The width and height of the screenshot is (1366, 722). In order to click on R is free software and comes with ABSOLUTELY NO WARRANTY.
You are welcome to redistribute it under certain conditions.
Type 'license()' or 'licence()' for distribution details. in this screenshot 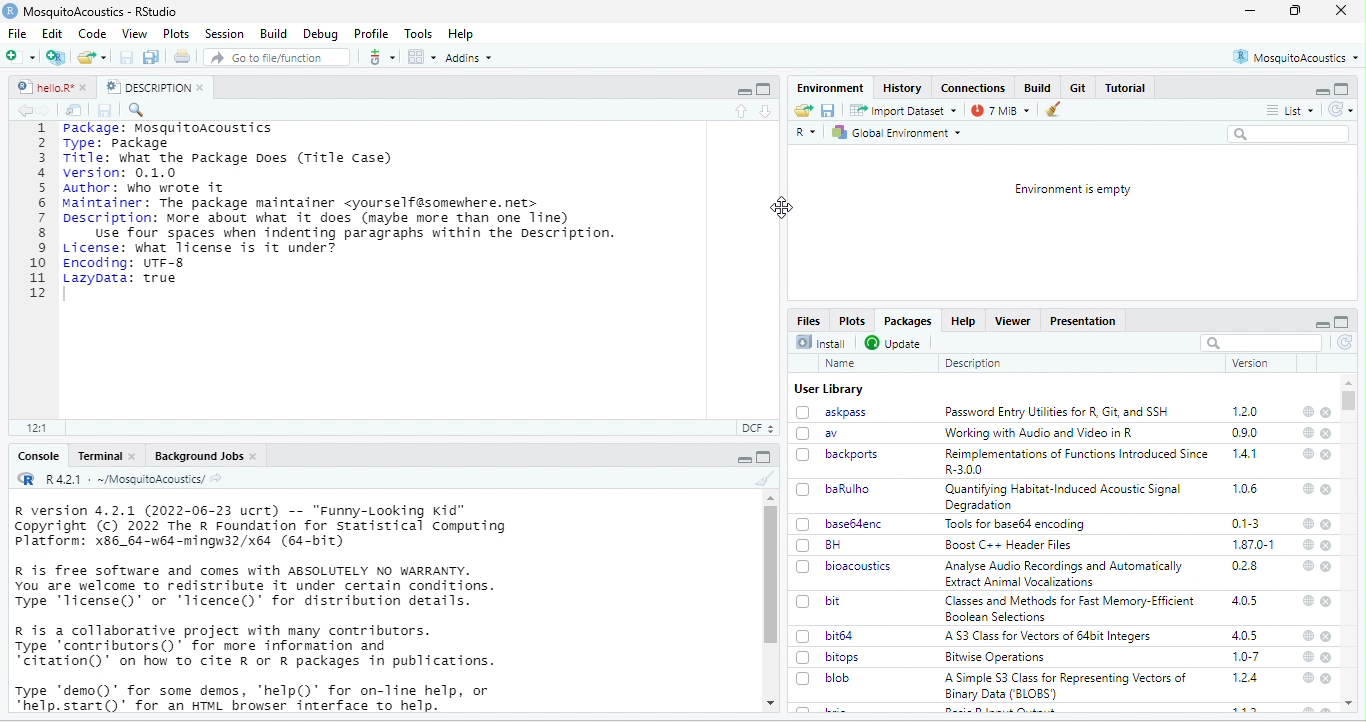, I will do `click(260, 586)`.